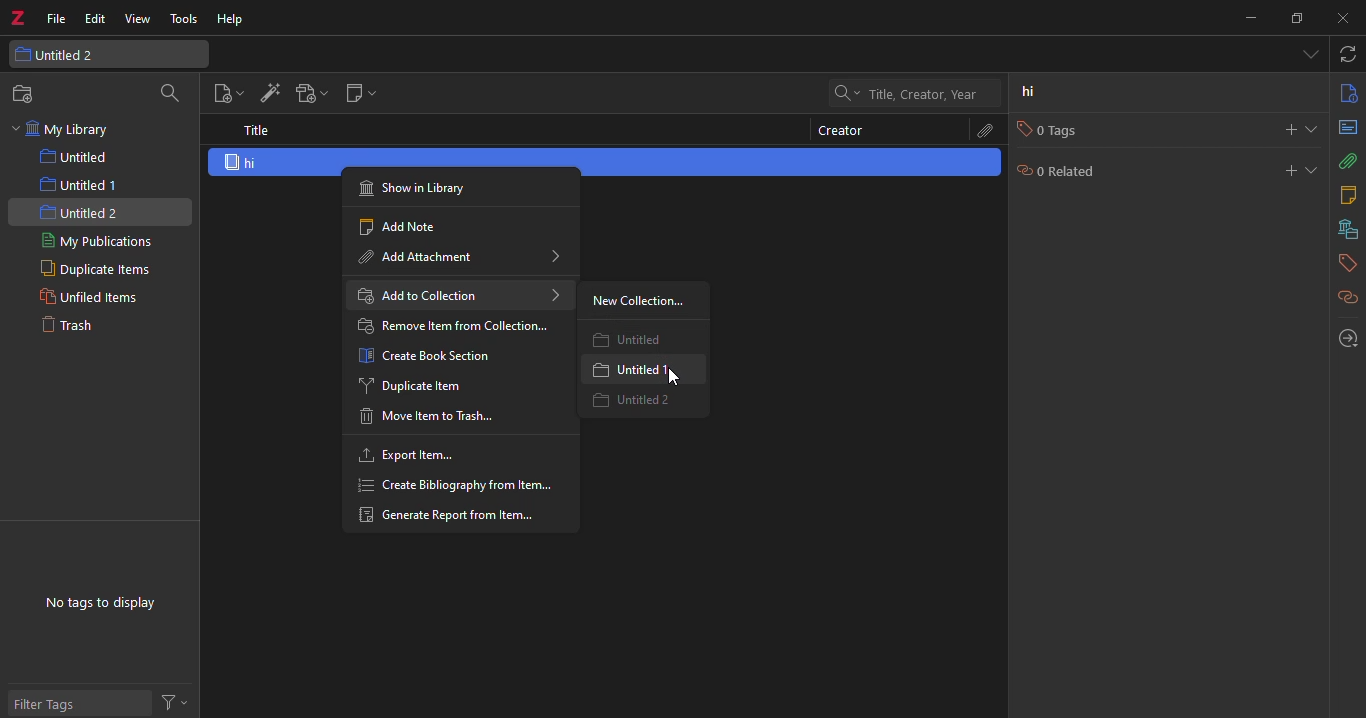  I want to click on new collection, so click(637, 302).